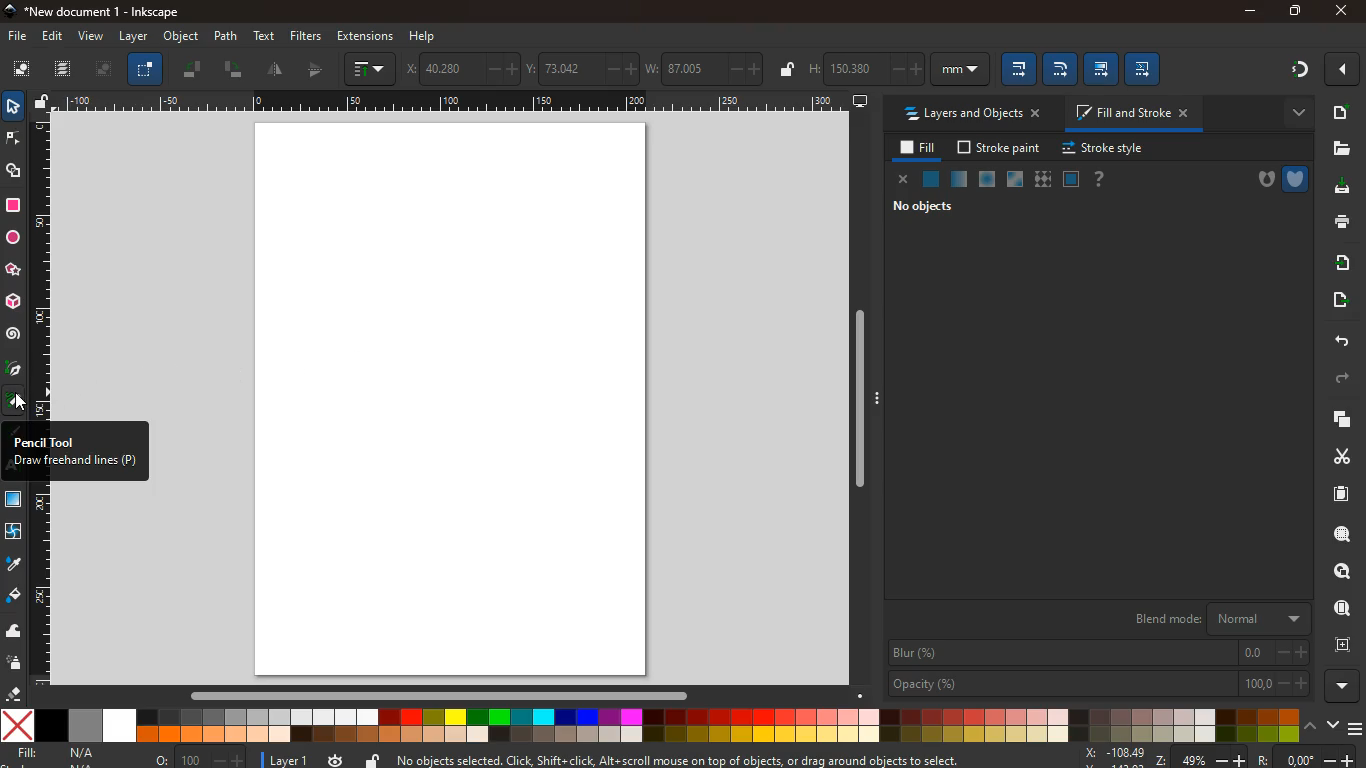 The height and width of the screenshot is (768, 1366). What do you see at coordinates (12, 564) in the screenshot?
I see `drop` at bounding box center [12, 564].